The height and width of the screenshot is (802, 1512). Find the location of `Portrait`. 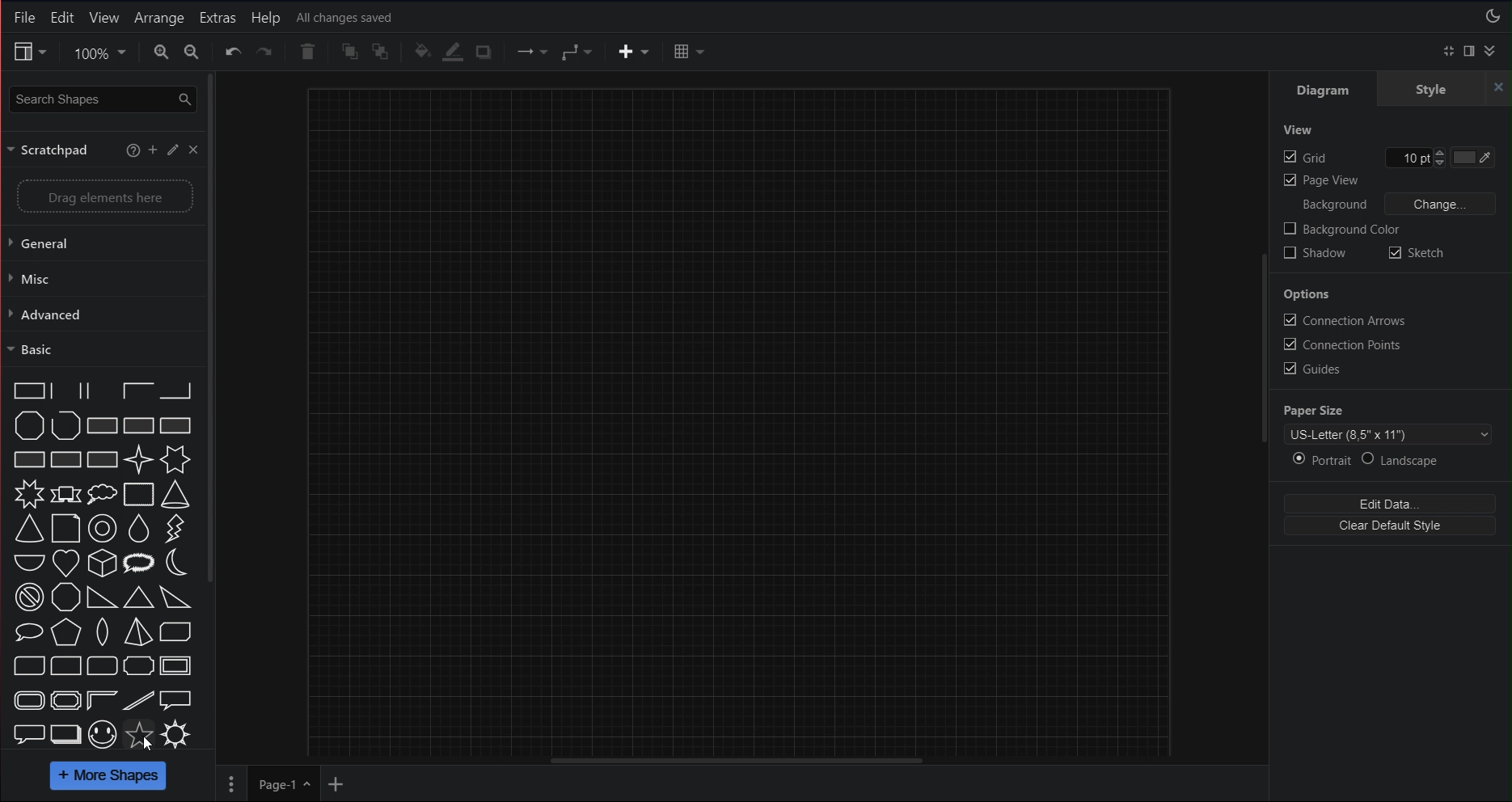

Portrait is located at coordinates (1321, 458).